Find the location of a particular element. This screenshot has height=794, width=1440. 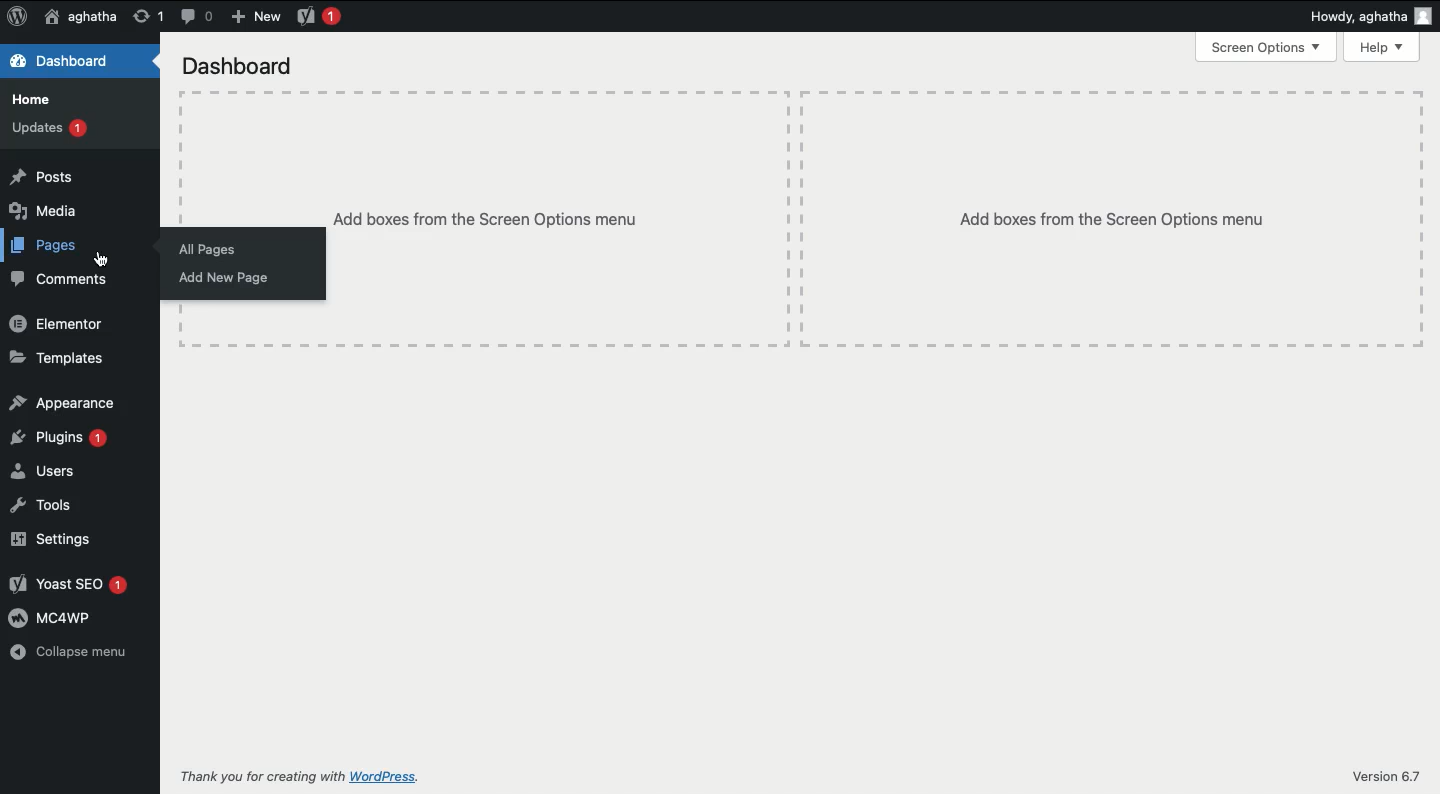

Version 6.7 is located at coordinates (1387, 777).